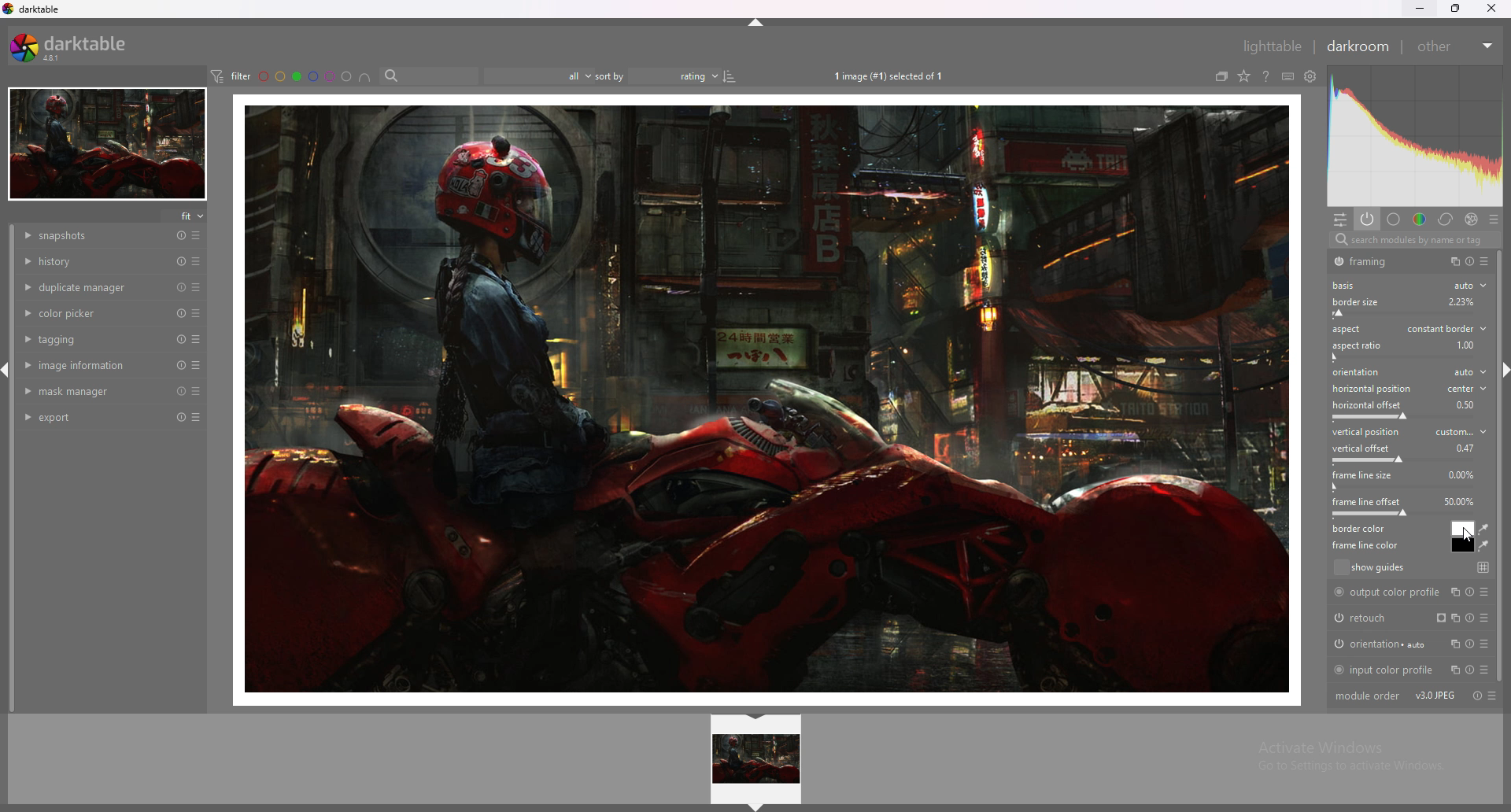 The image size is (1511, 812). I want to click on photo heatmap, so click(1416, 135).